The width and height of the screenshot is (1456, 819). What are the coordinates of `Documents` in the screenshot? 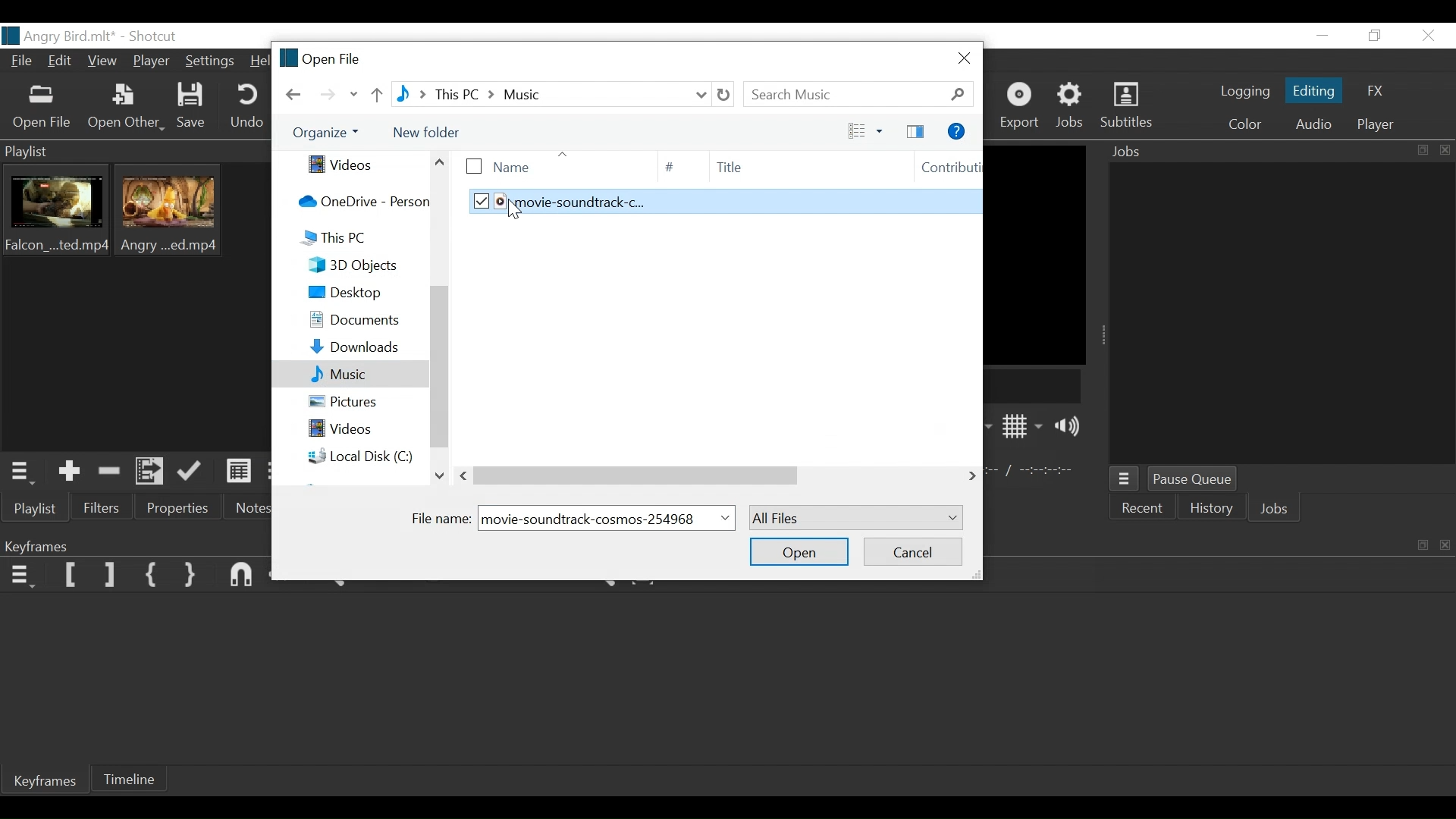 It's located at (347, 321).